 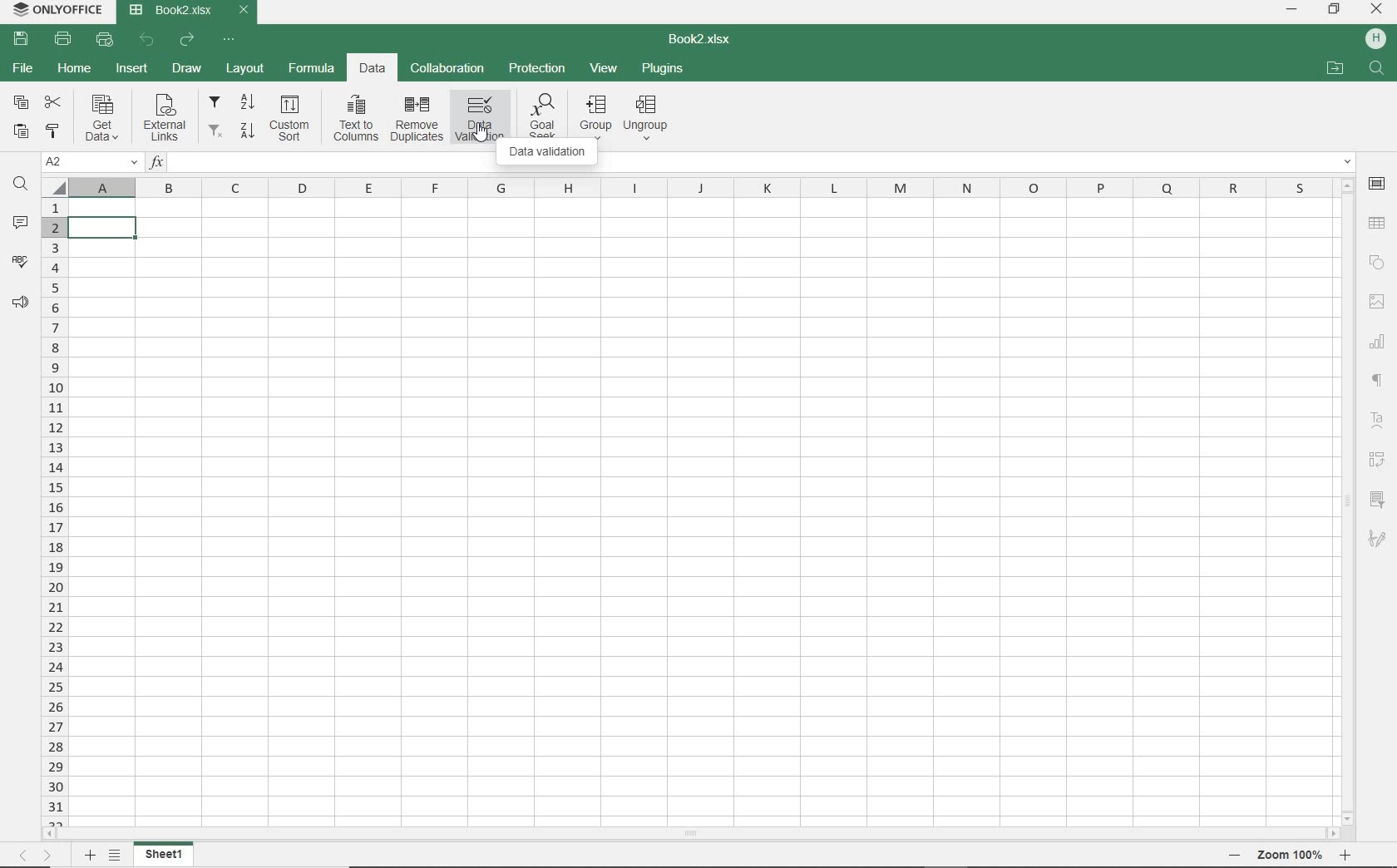 I want to click on CUSTOMIZE QUICK ACCESS TOOLBAR, so click(x=230, y=41).